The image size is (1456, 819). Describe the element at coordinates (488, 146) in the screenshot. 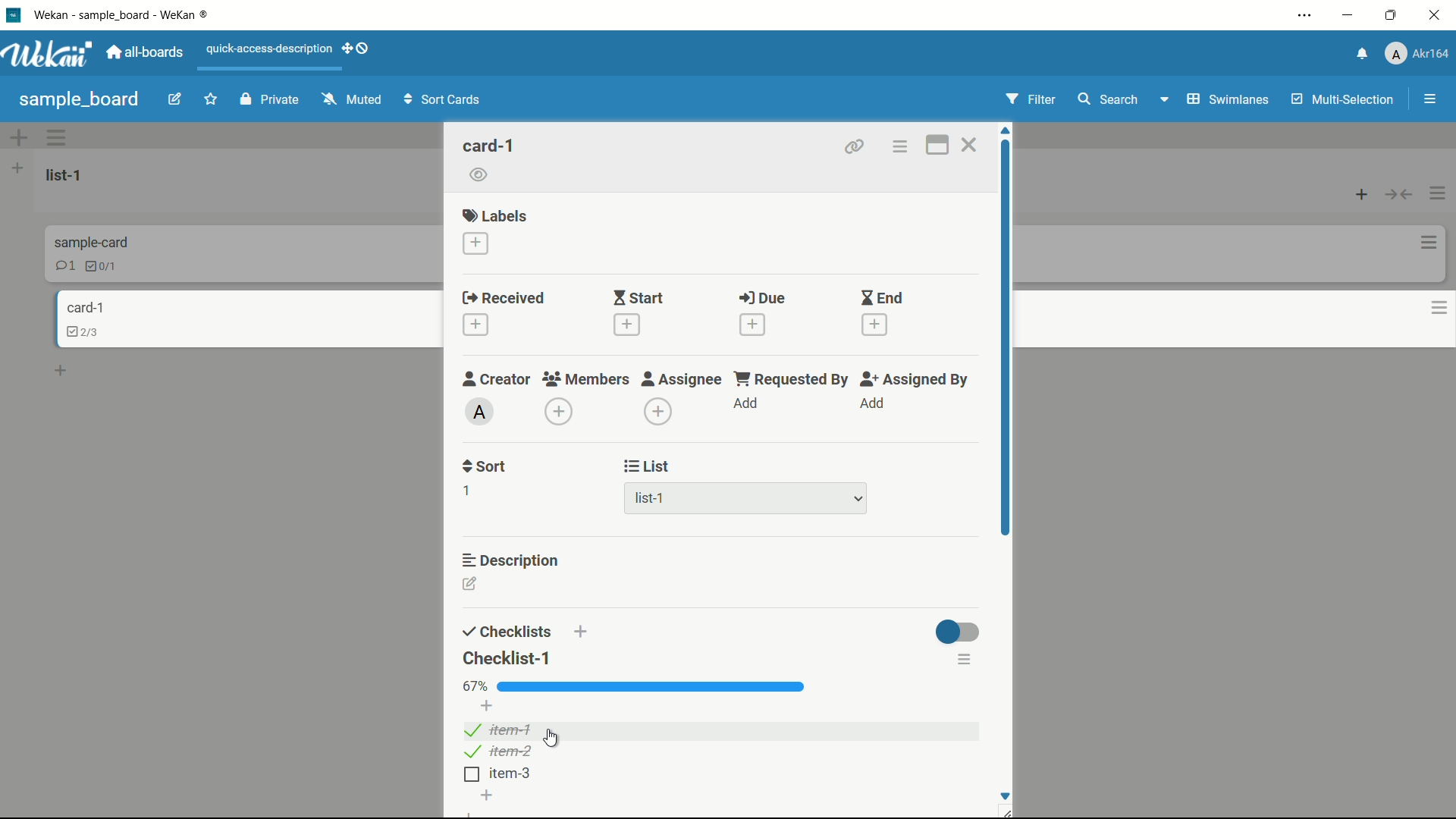

I see `card name` at that location.